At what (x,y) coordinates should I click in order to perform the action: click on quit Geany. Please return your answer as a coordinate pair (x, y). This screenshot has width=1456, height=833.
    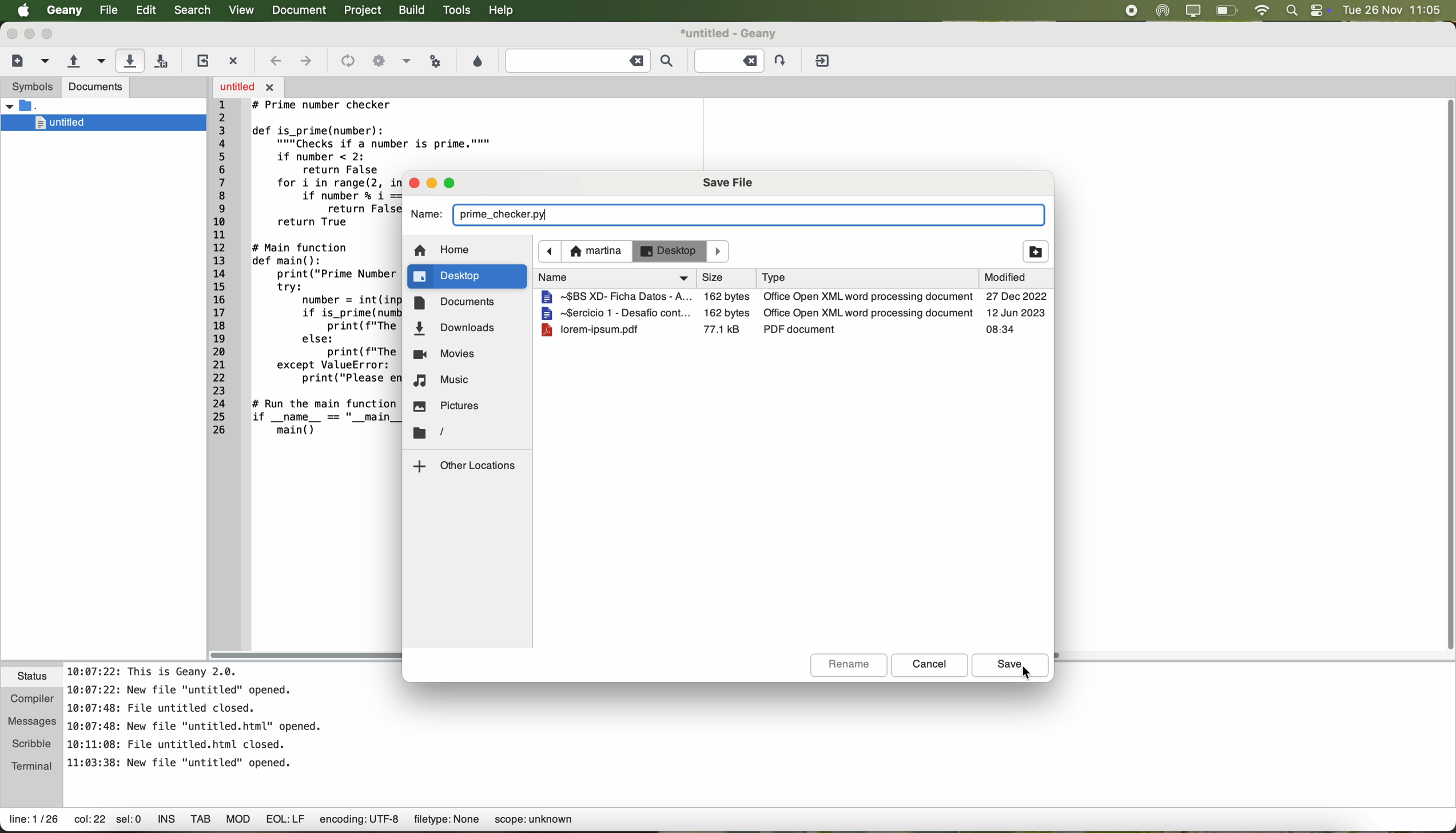
    Looking at the image, I should click on (824, 61).